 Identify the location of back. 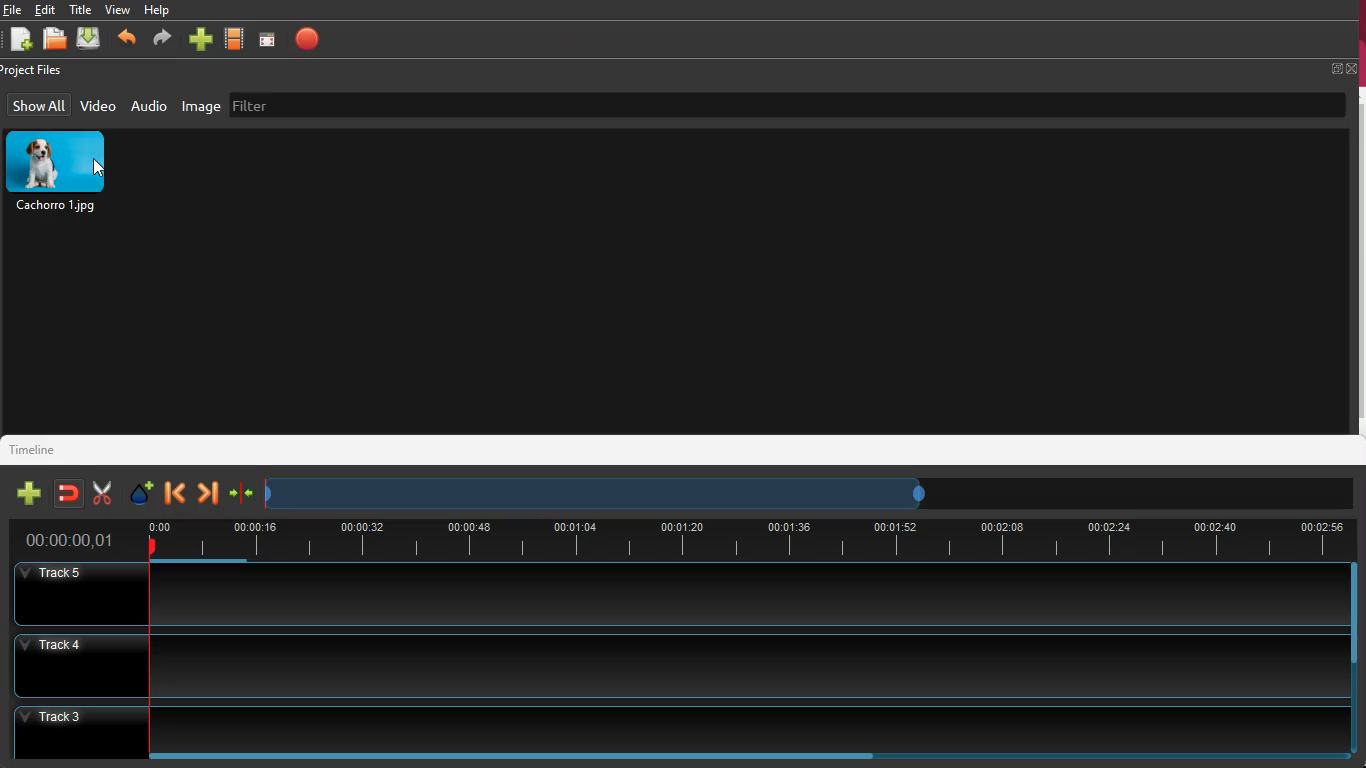
(172, 494).